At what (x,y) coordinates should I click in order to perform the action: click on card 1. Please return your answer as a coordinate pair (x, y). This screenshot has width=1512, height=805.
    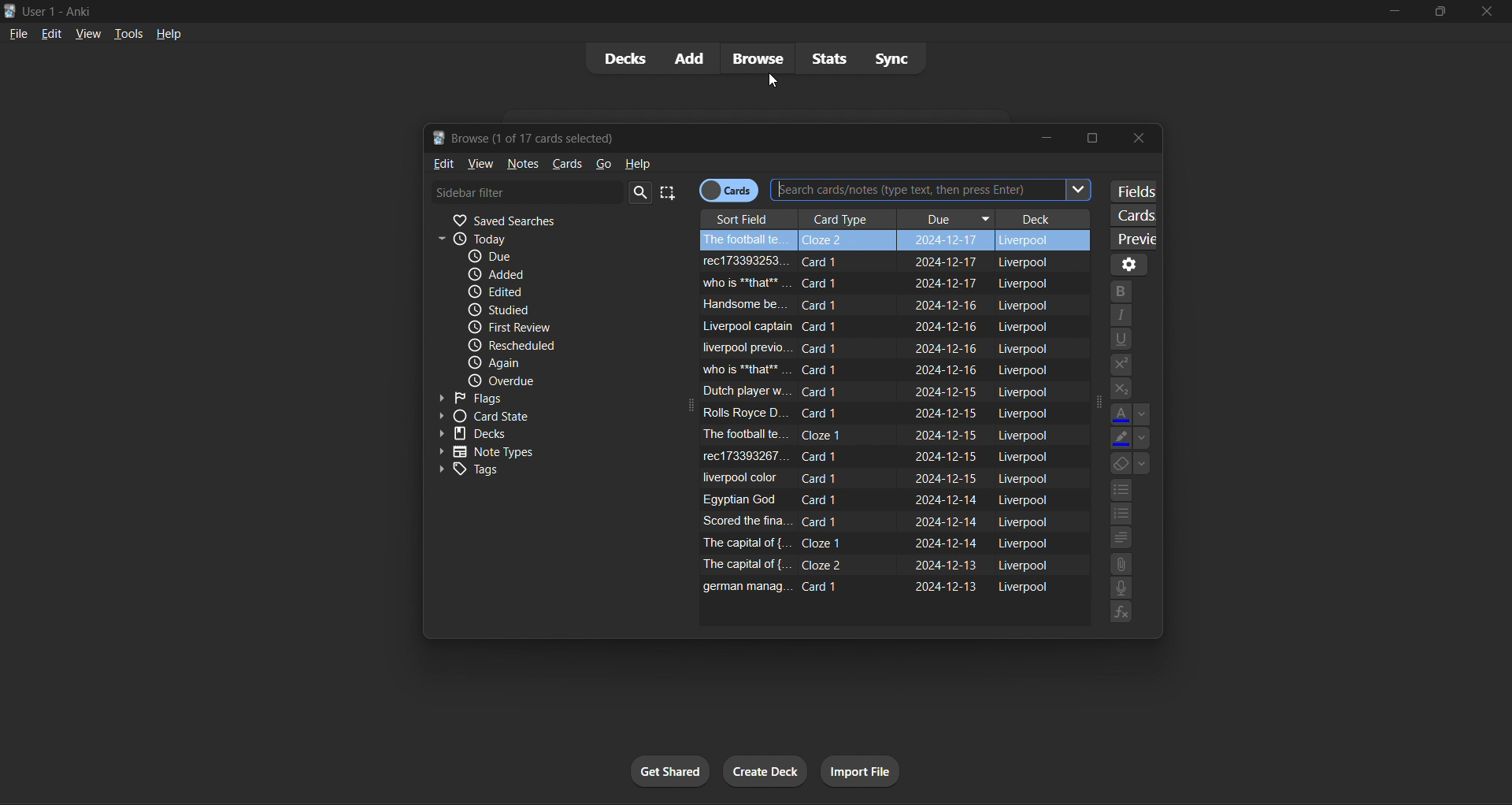
    Looking at the image, I should click on (828, 476).